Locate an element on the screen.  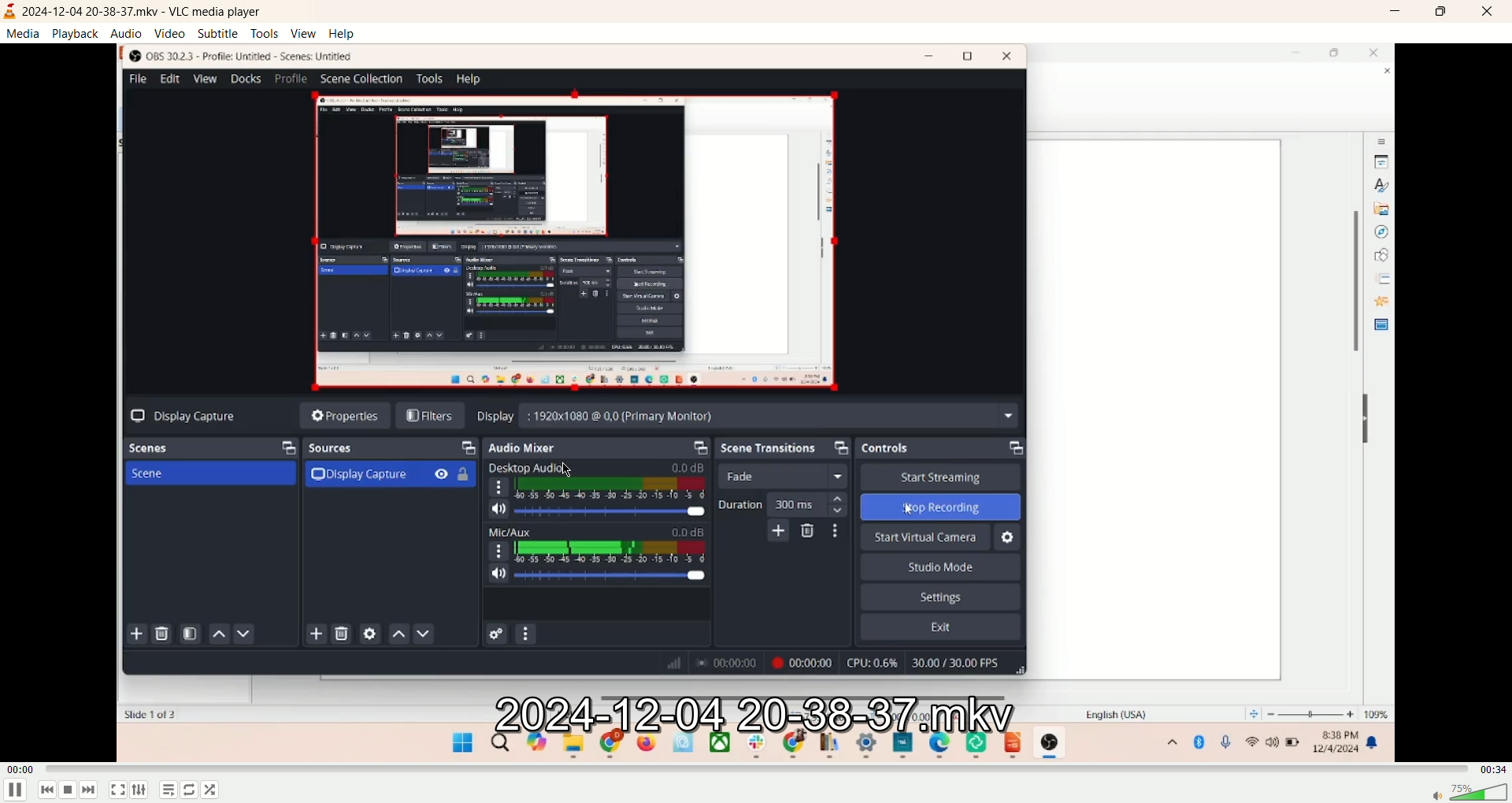
file name is located at coordinates (753, 717).